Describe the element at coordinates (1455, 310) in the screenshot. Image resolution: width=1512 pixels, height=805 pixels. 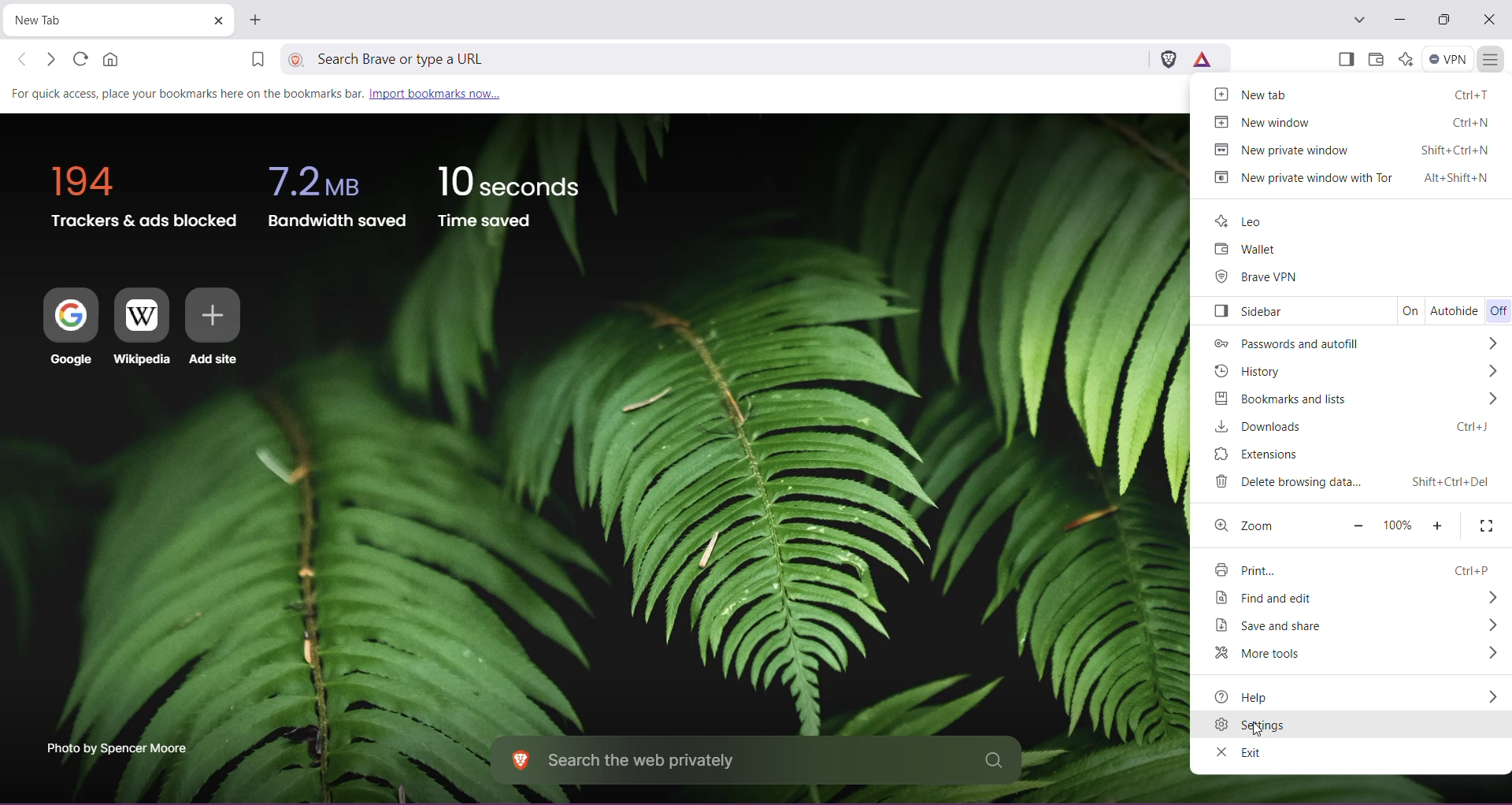
I see `Set Autohide On or Off` at that location.